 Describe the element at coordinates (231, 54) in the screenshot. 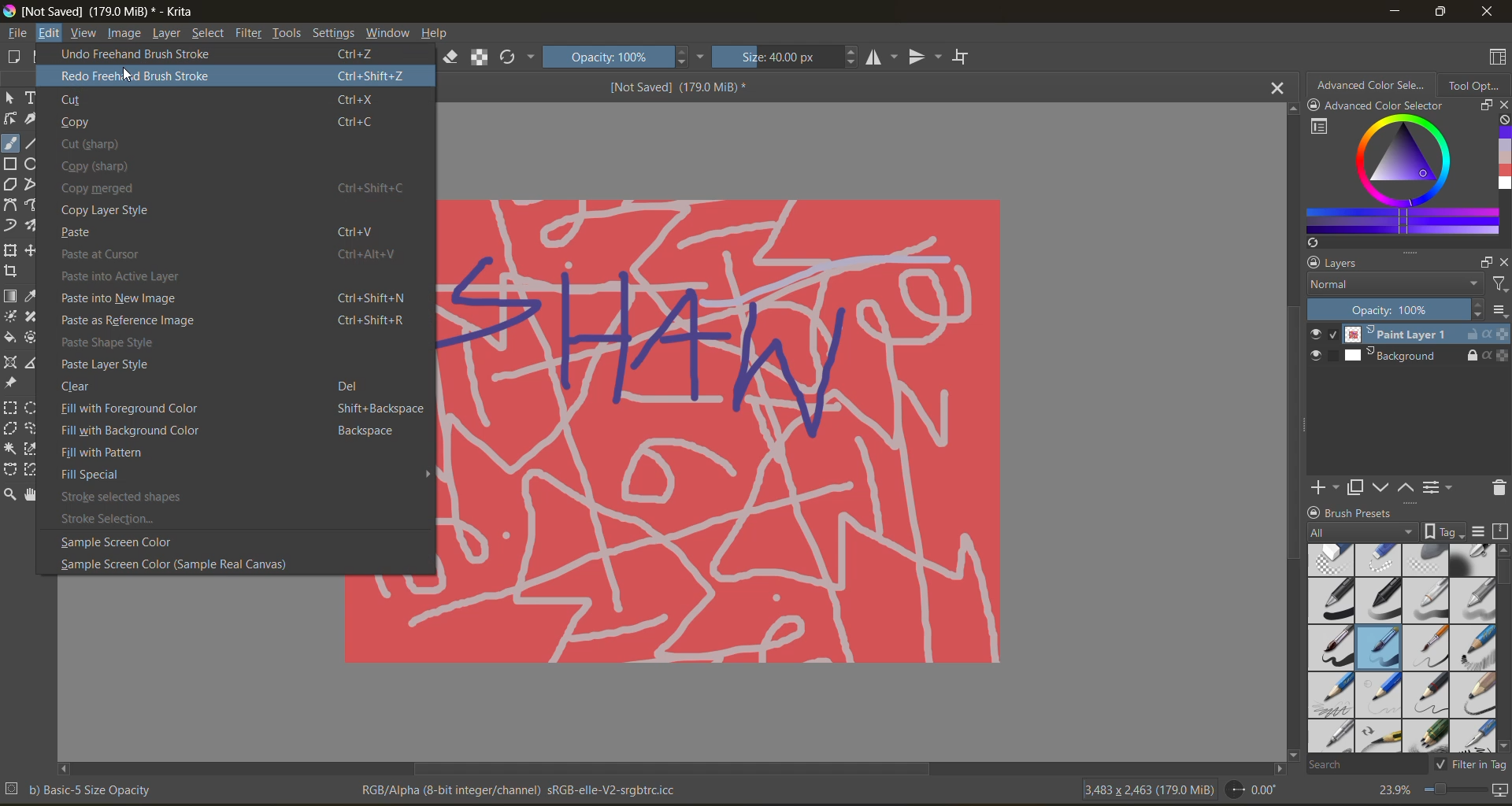

I see `undo freehand brush stroke    Ctrl+Z` at that location.